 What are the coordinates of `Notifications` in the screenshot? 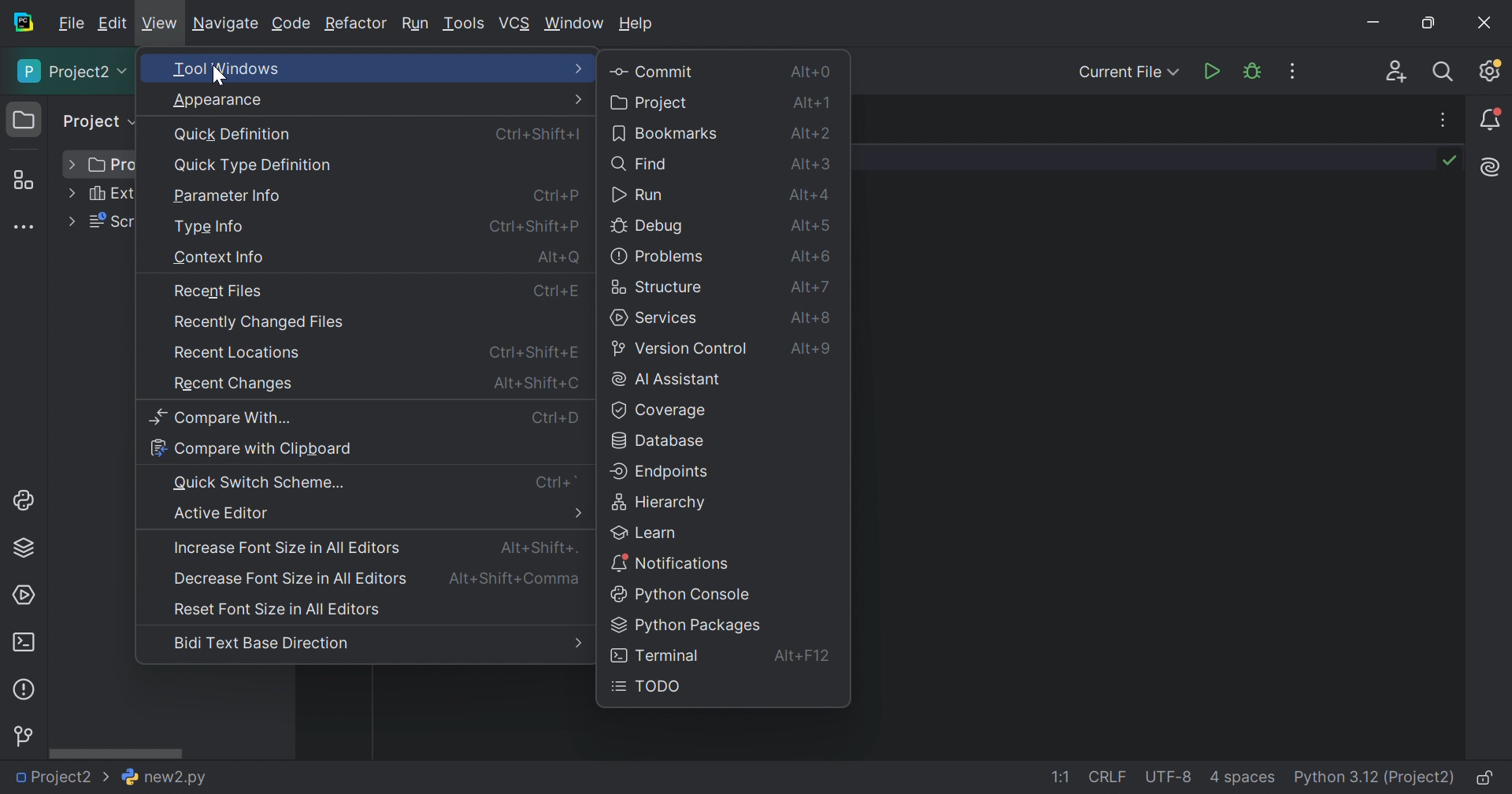 It's located at (673, 563).